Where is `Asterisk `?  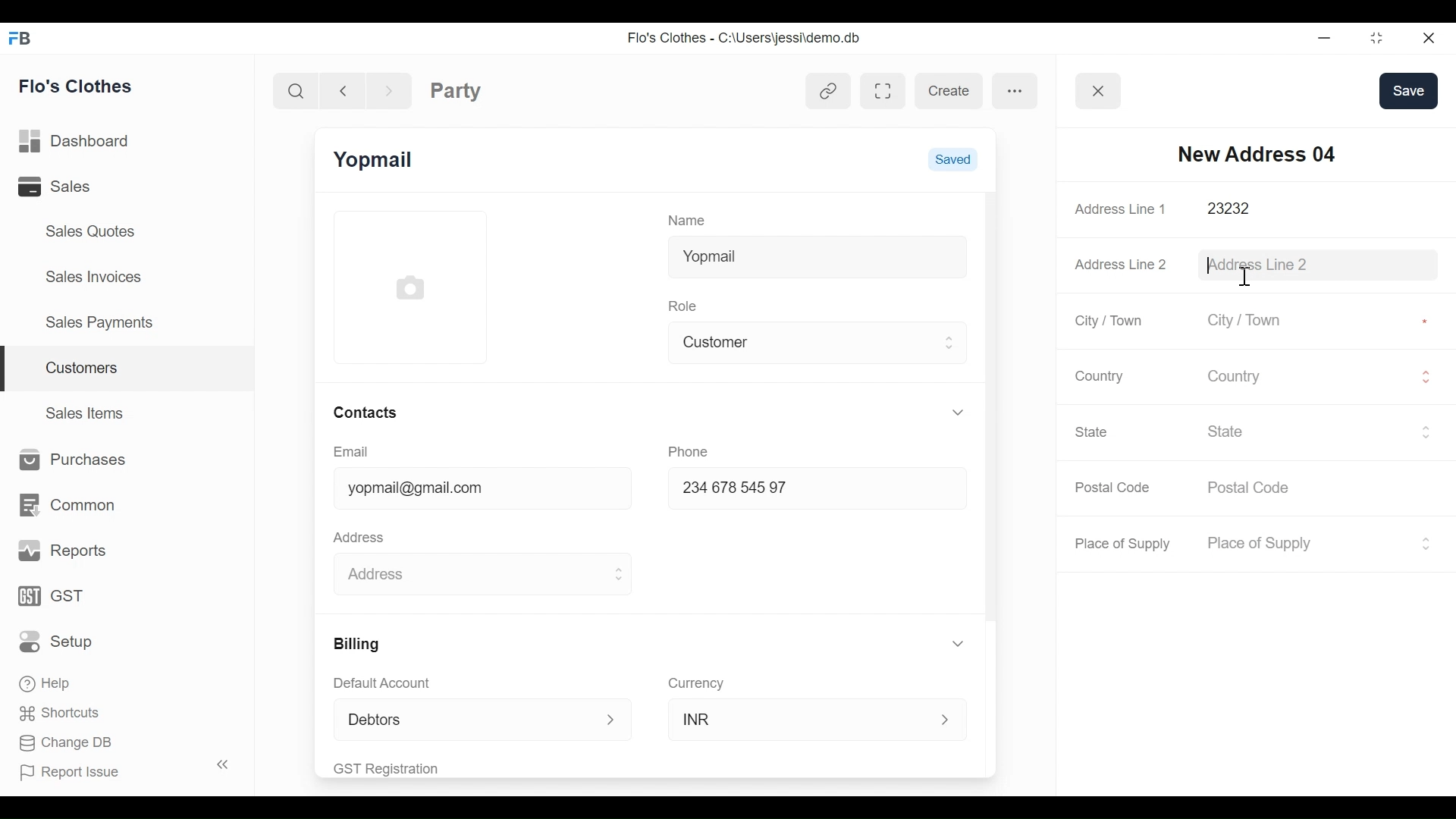 Asterisk  is located at coordinates (1427, 319).